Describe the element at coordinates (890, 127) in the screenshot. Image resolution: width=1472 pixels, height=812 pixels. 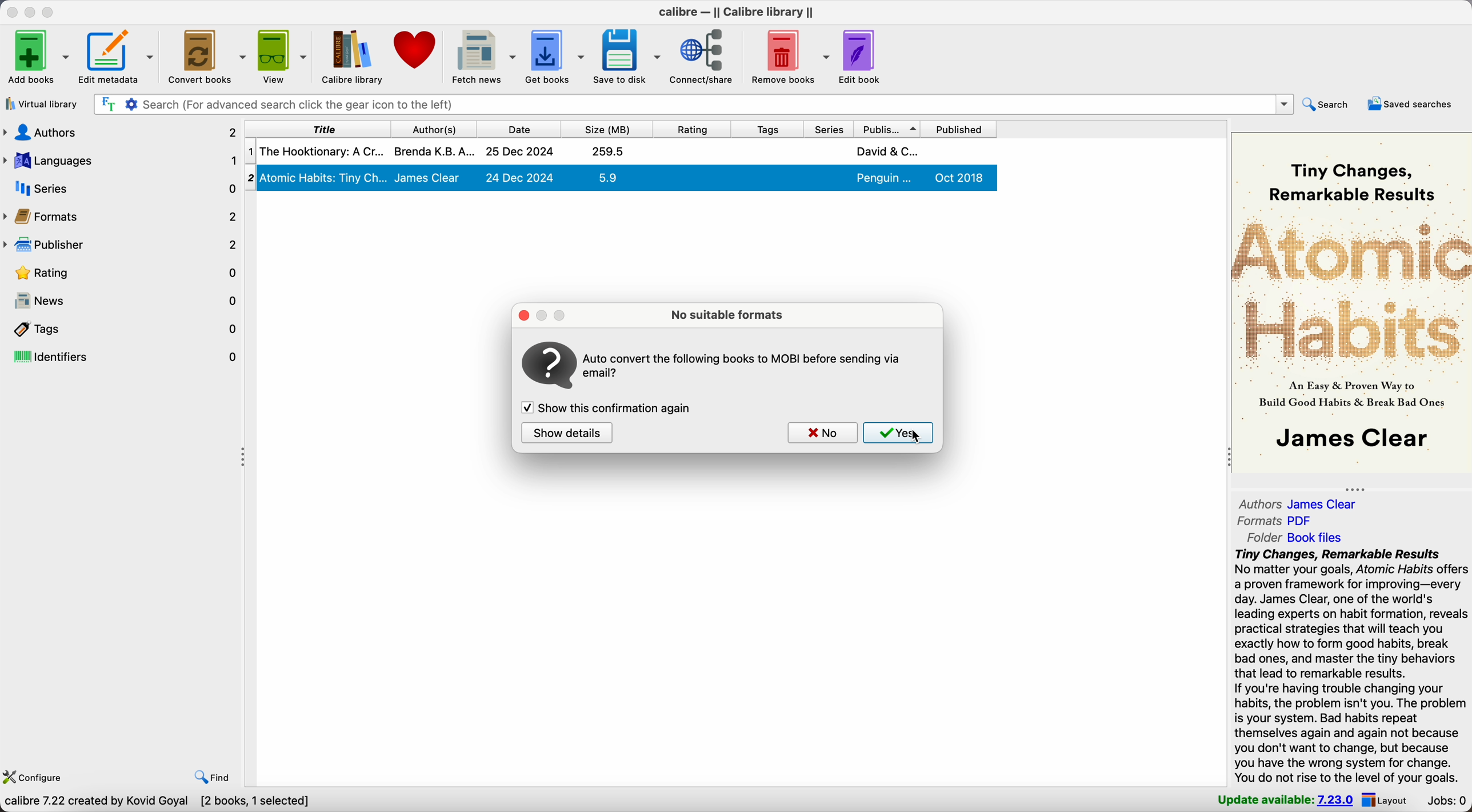
I see `publisher` at that location.